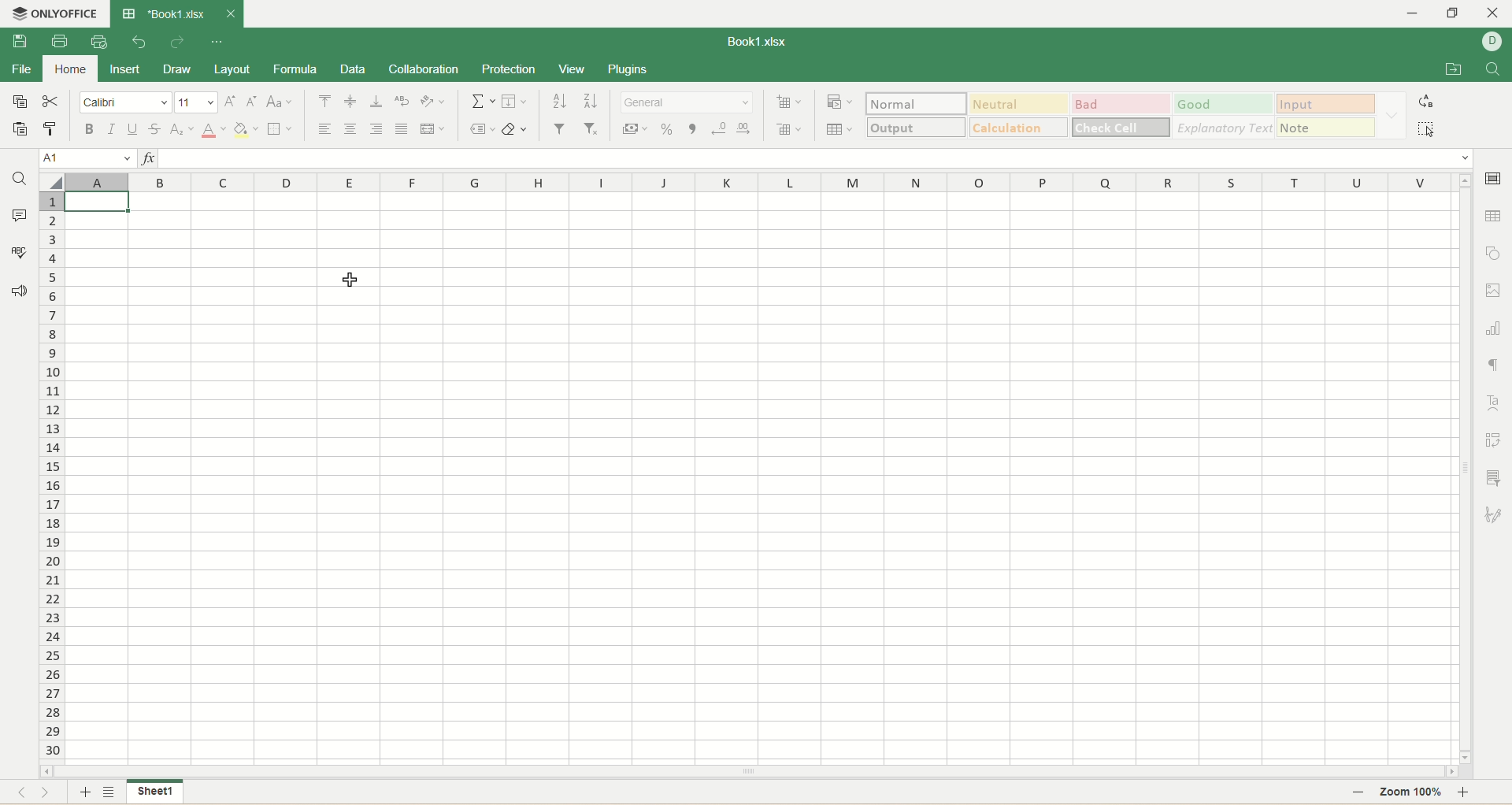 The height and width of the screenshot is (805, 1512). What do you see at coordinates (1451, 13) in the screenshot?
I see `maximize` at bounding box center [1451, 13].